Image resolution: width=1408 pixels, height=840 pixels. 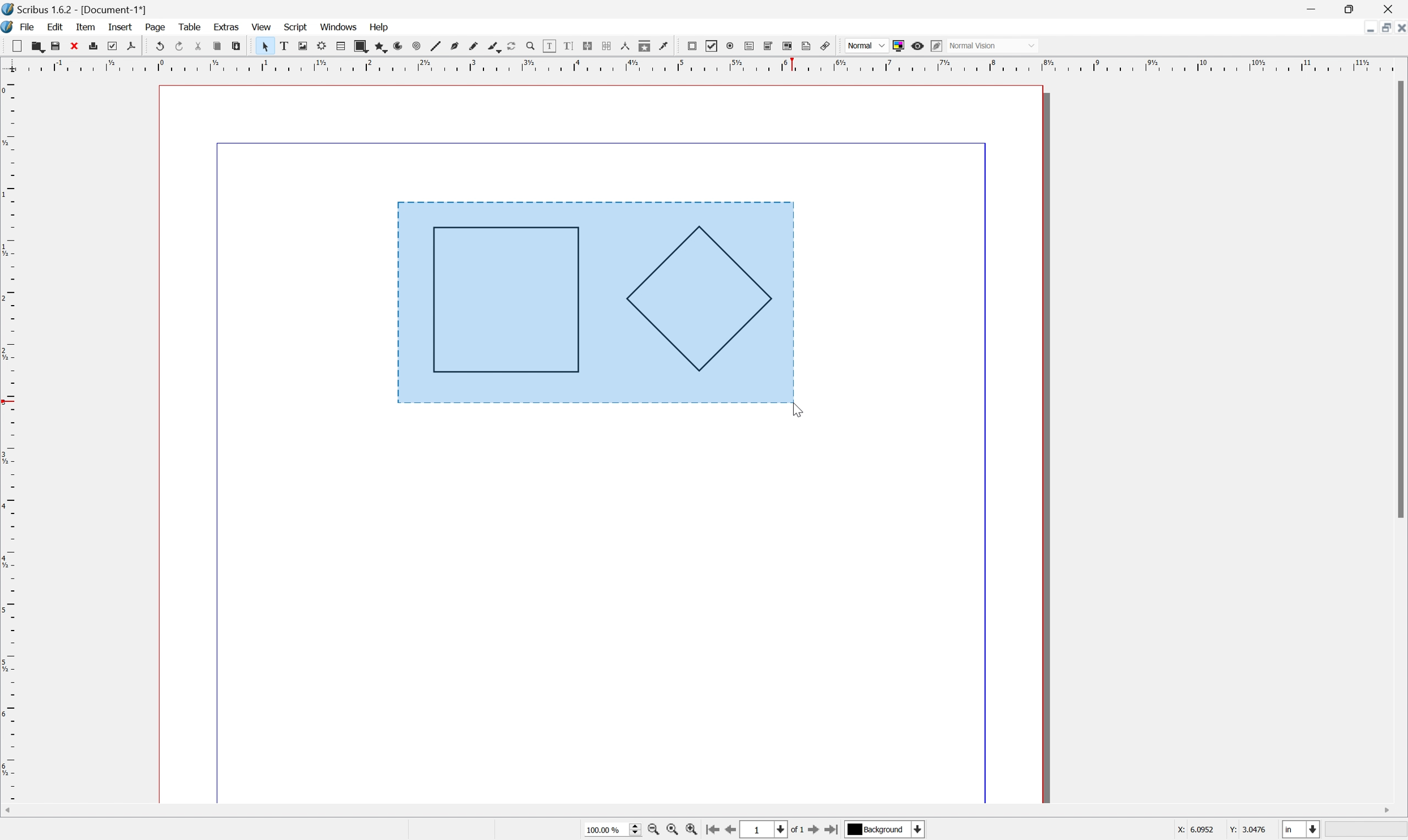 What do you see at coordinates (652, 830) in the screenshot?
I see `Zoom in` at bounding box center [652, 830].